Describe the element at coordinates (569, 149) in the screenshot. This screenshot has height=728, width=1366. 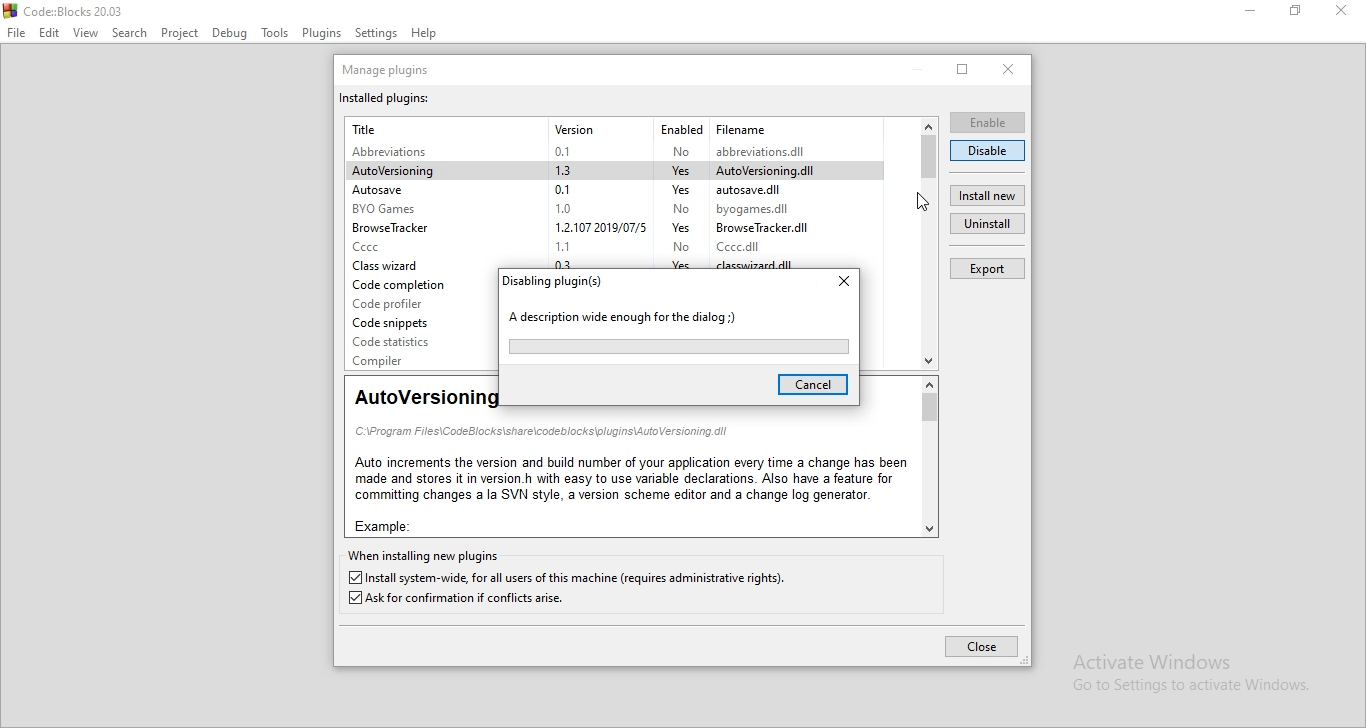
I see `0.1` at that location.